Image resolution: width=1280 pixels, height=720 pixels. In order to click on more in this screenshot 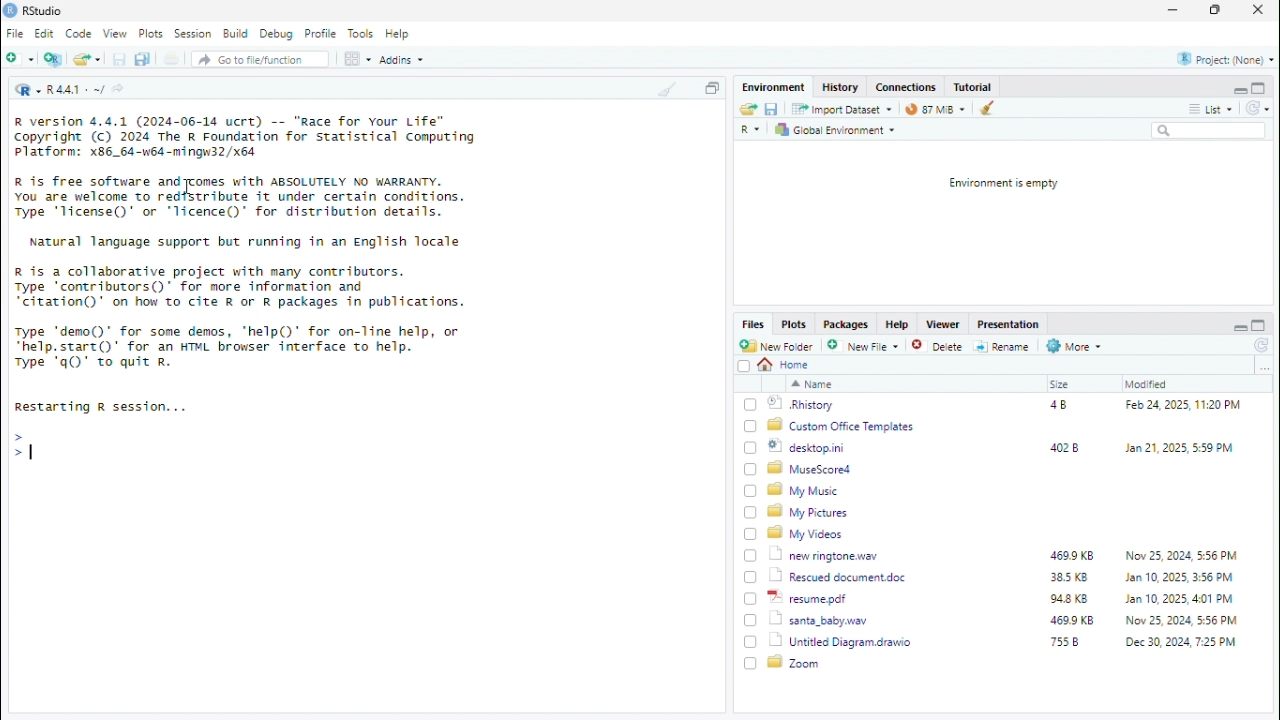, I will do `click(1195, 109)`.